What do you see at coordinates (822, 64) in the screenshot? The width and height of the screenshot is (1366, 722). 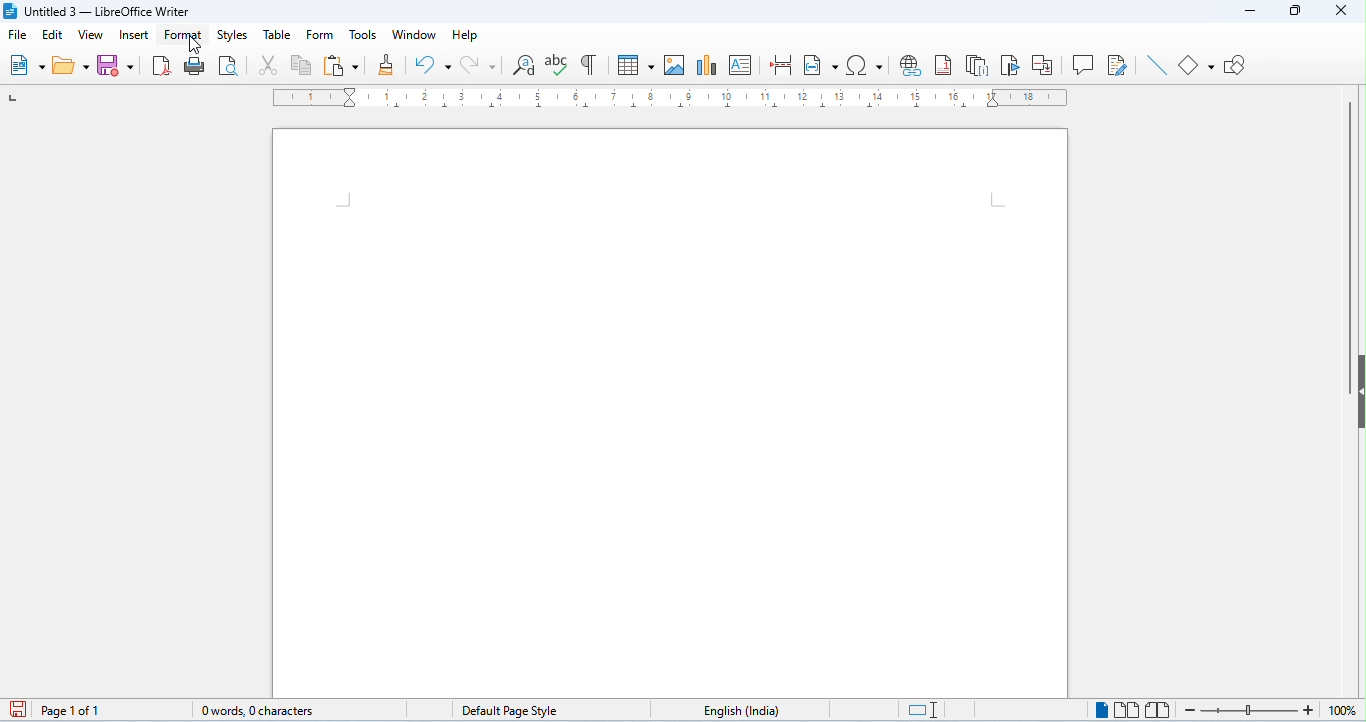 I see `insert field` at bounding box center [822, 64].